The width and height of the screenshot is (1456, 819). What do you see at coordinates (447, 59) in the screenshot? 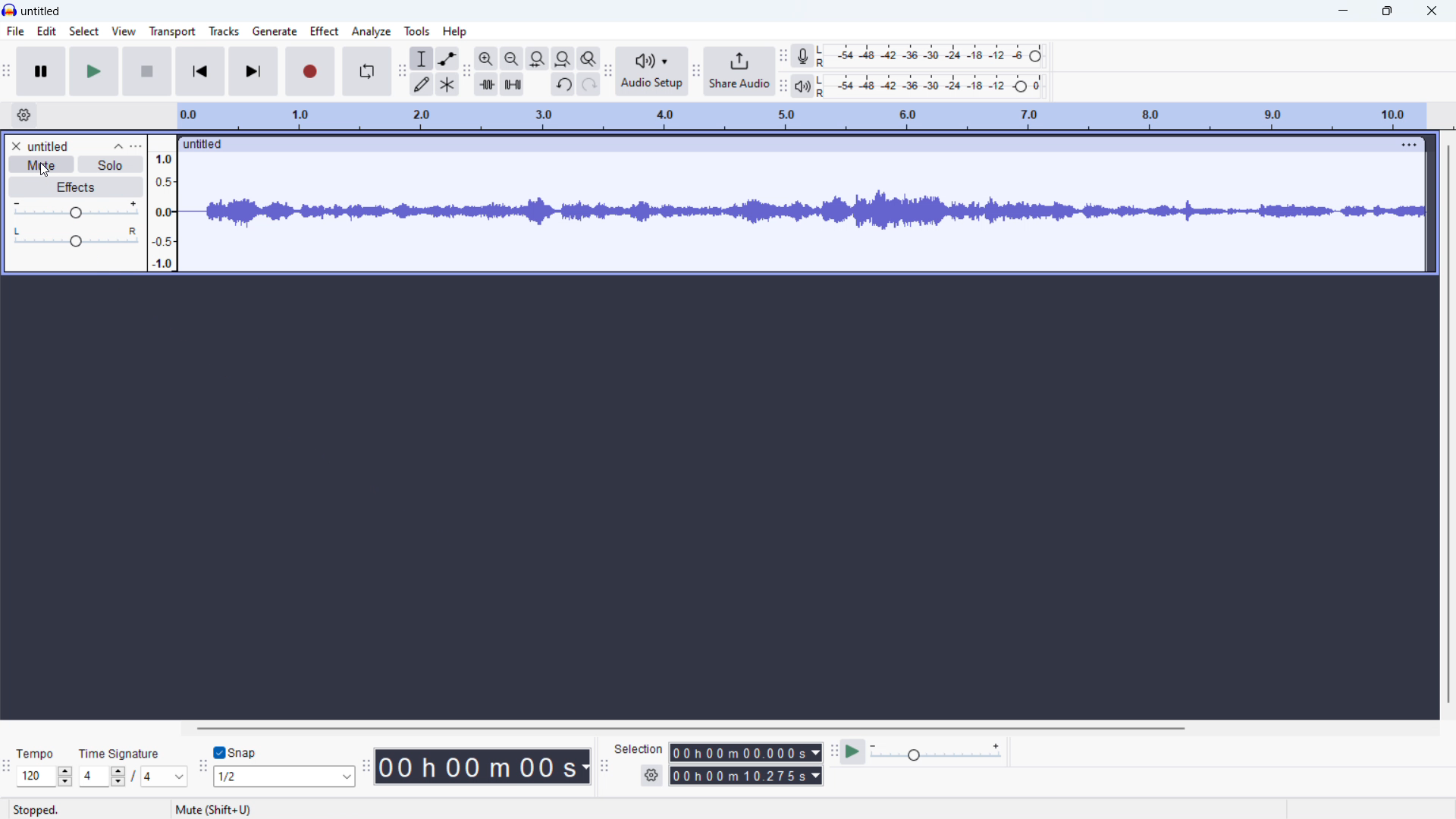
I see `envelop tool` at bounding box center [447, 59].